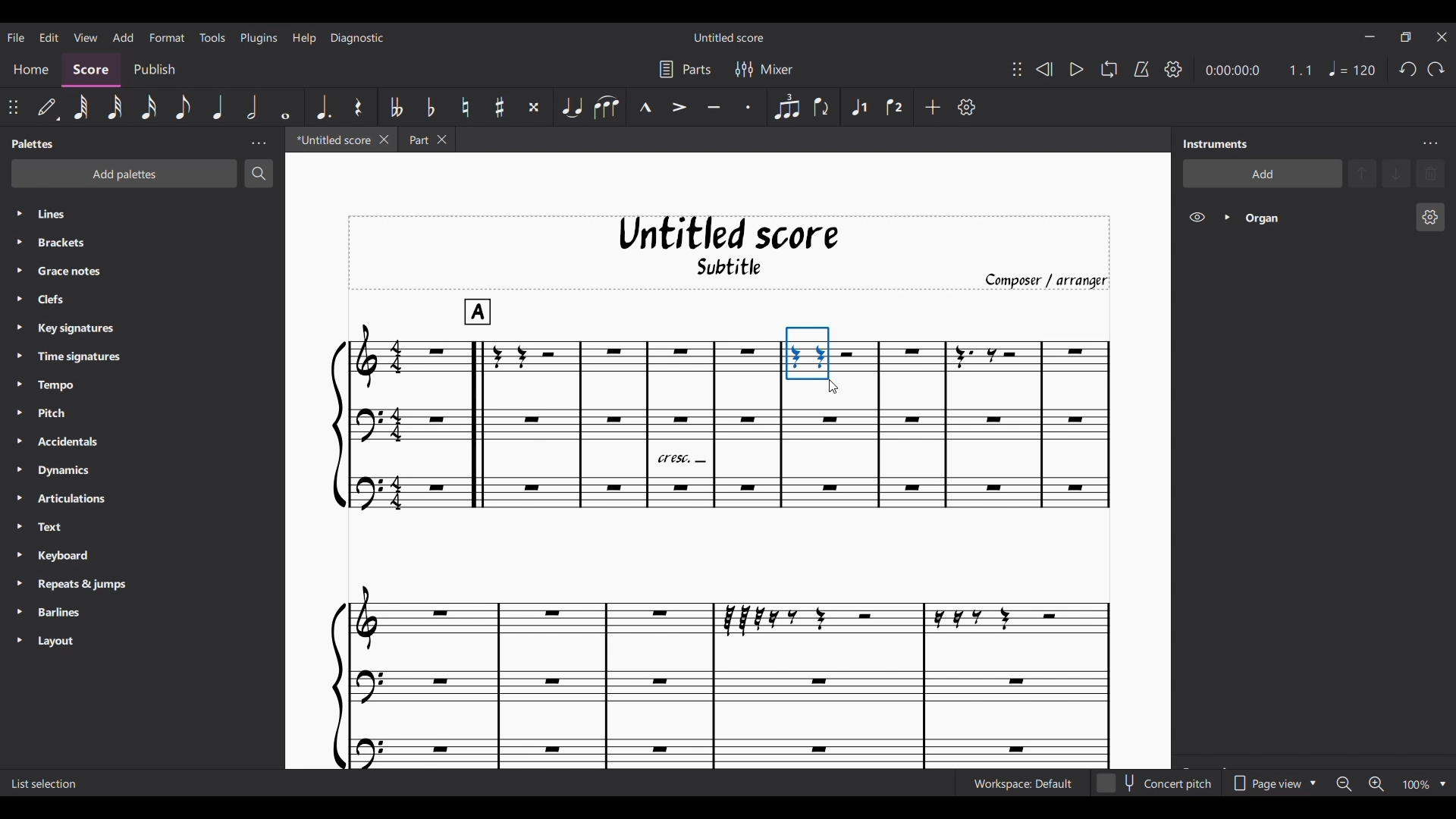 The image size is (1456, 819). Describe the element at coordinates (357, 106) in the screenshot. I see `Rest` at that location.